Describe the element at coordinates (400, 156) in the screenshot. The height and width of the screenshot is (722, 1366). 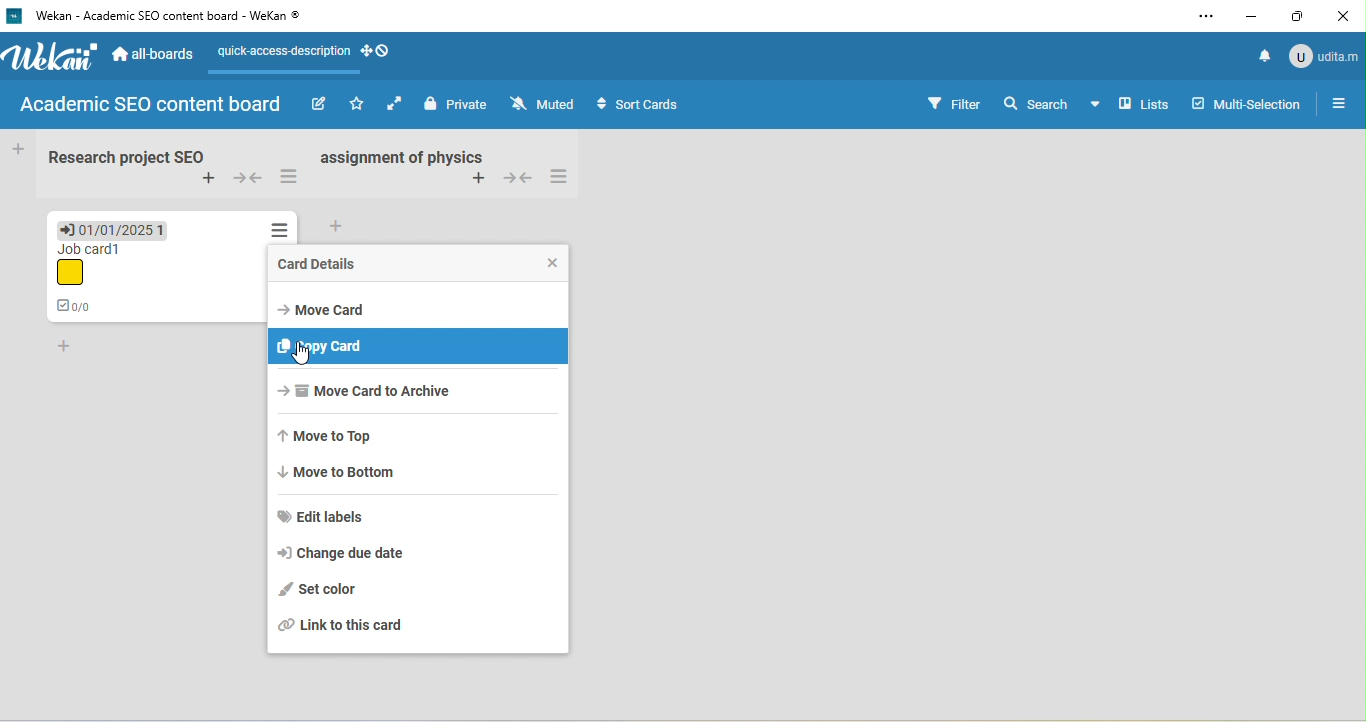
I see `assignment of physics` at that location.